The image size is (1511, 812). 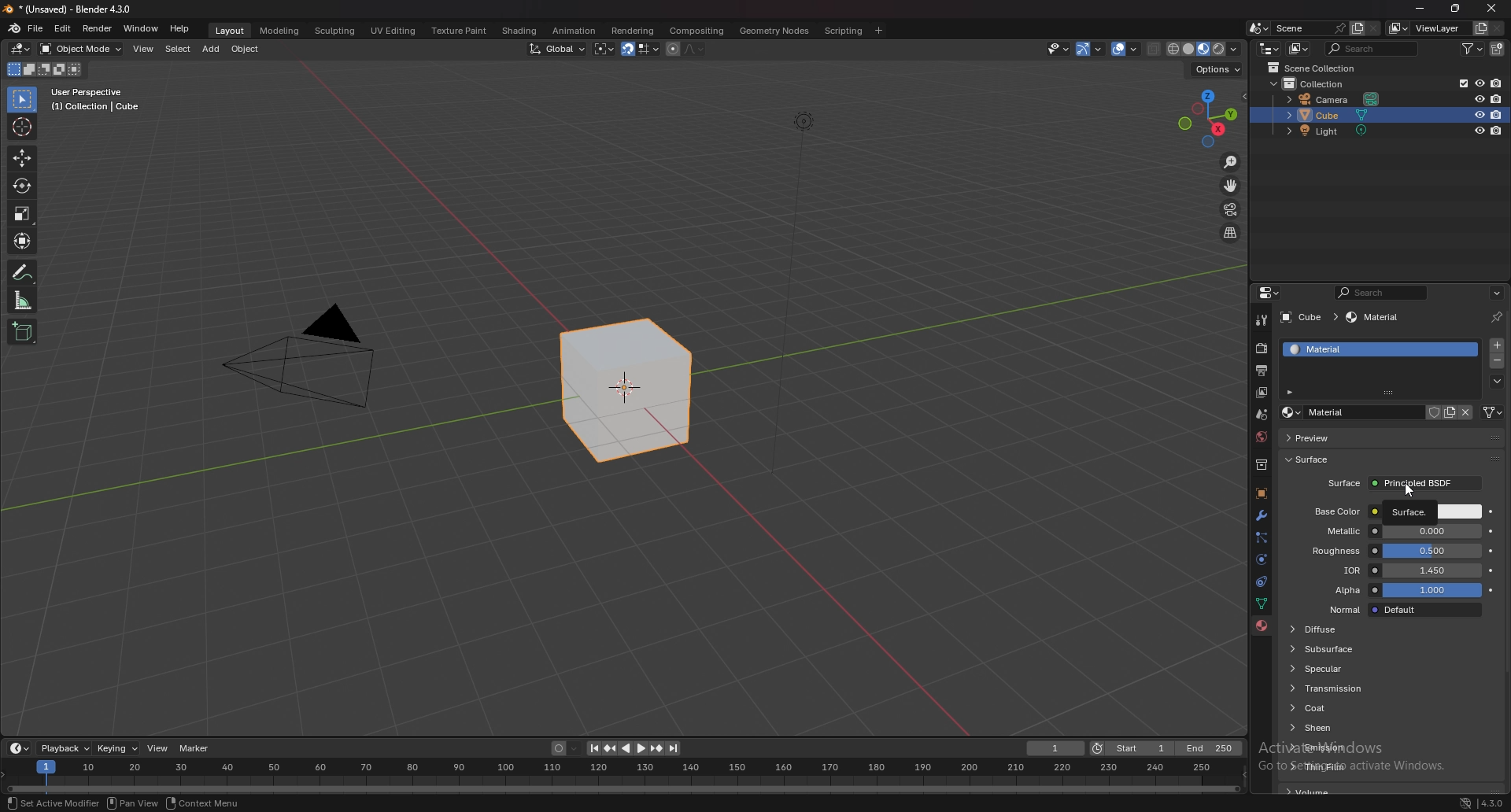 I want to click on selector, so click(x=21, y=100).